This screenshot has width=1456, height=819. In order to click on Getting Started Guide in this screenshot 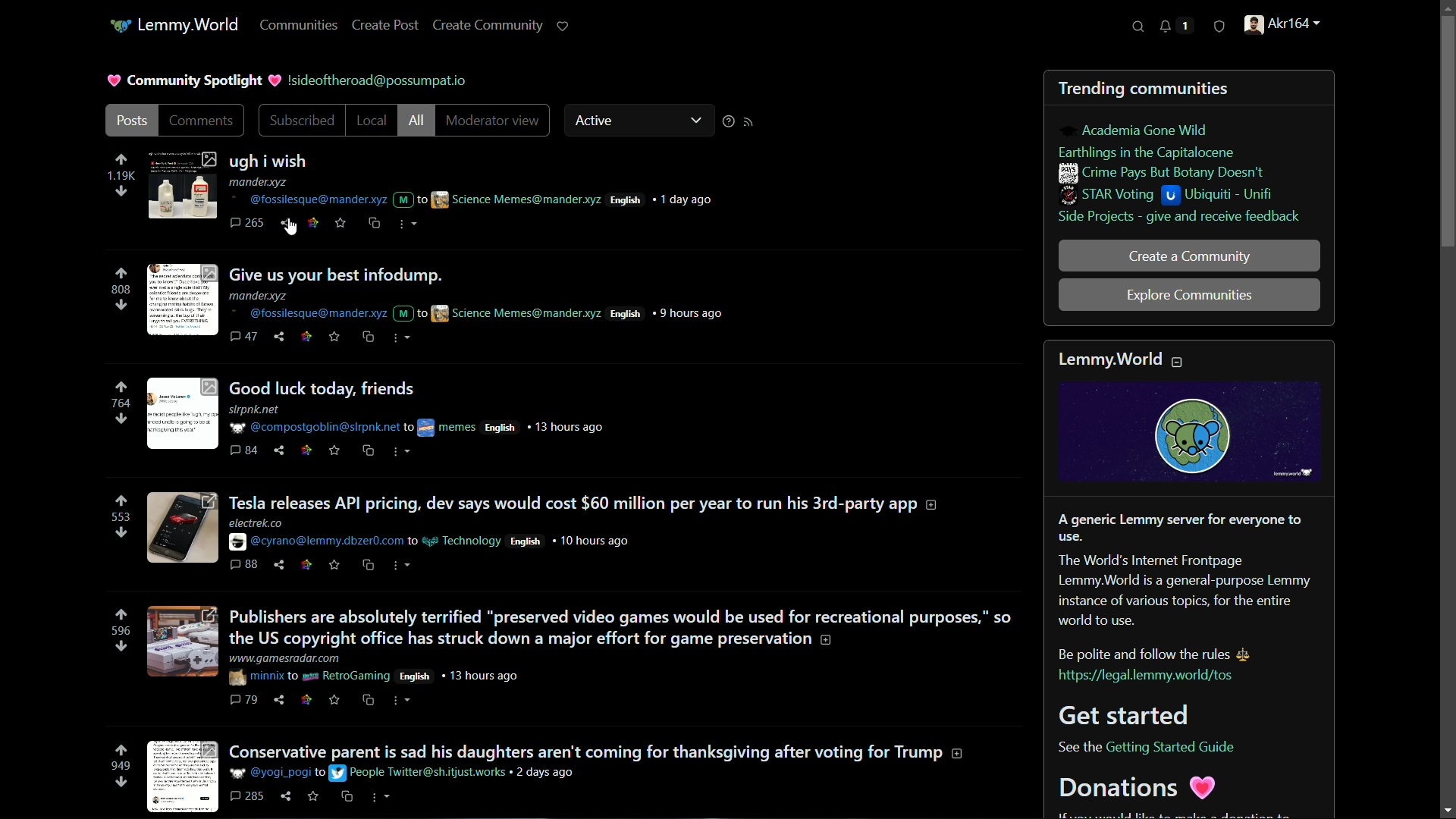, I will do `click(1172, 747)`.